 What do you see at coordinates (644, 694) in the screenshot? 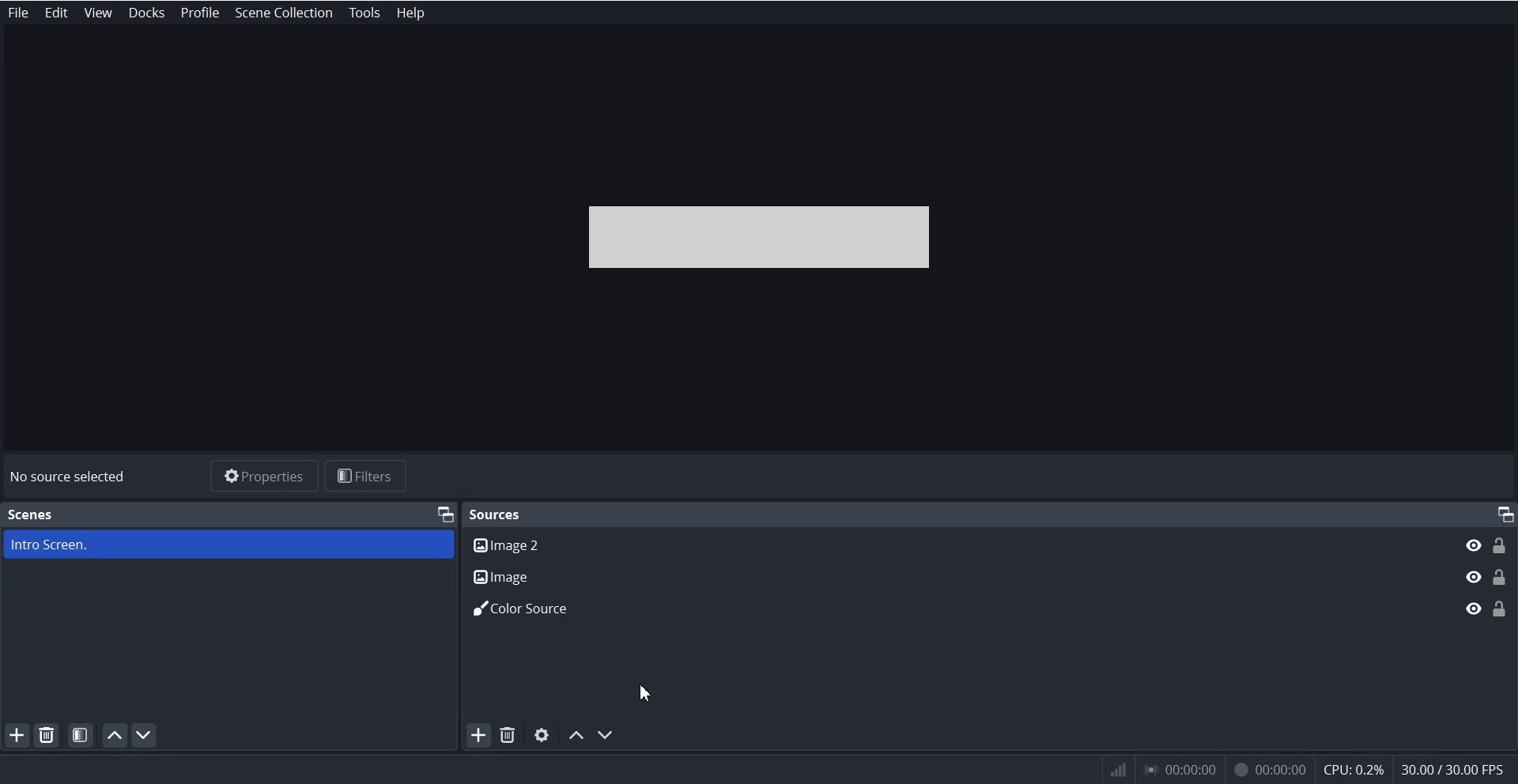
I see `Cursor` at bounding box center [644, 694].